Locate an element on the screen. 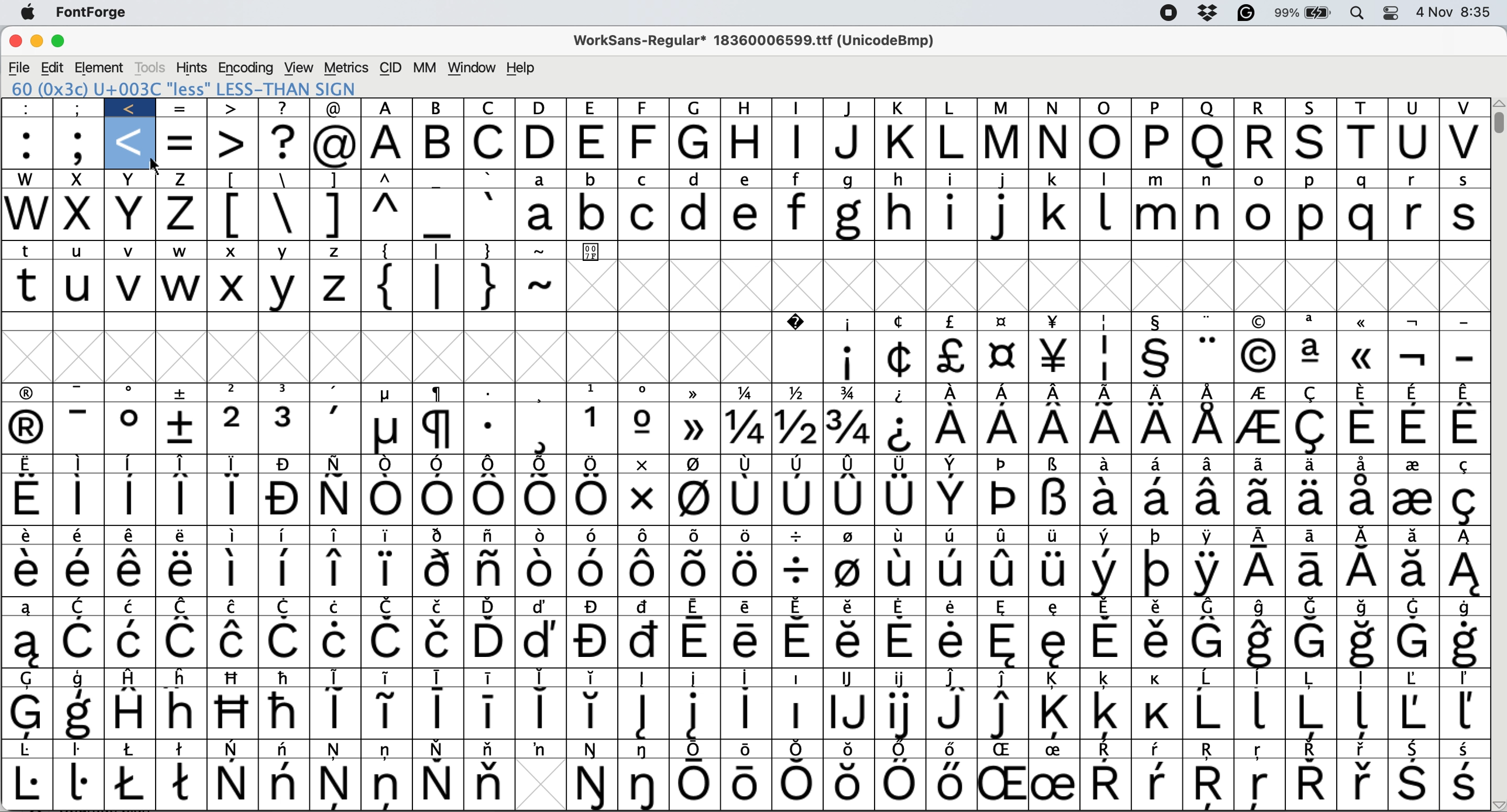 The height and width of the screenshot is (812, 1507). j is located at coordinates (1004, 214).